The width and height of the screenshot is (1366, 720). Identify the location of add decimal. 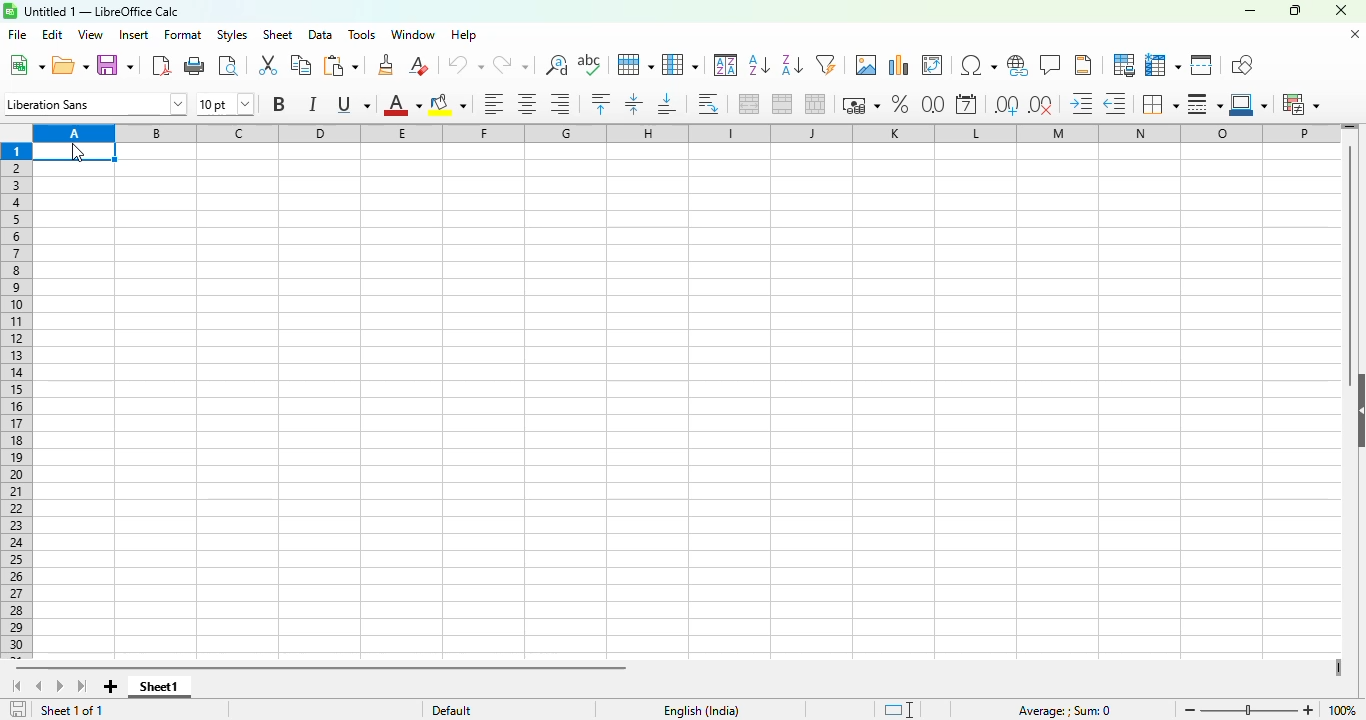
(1006, 105).